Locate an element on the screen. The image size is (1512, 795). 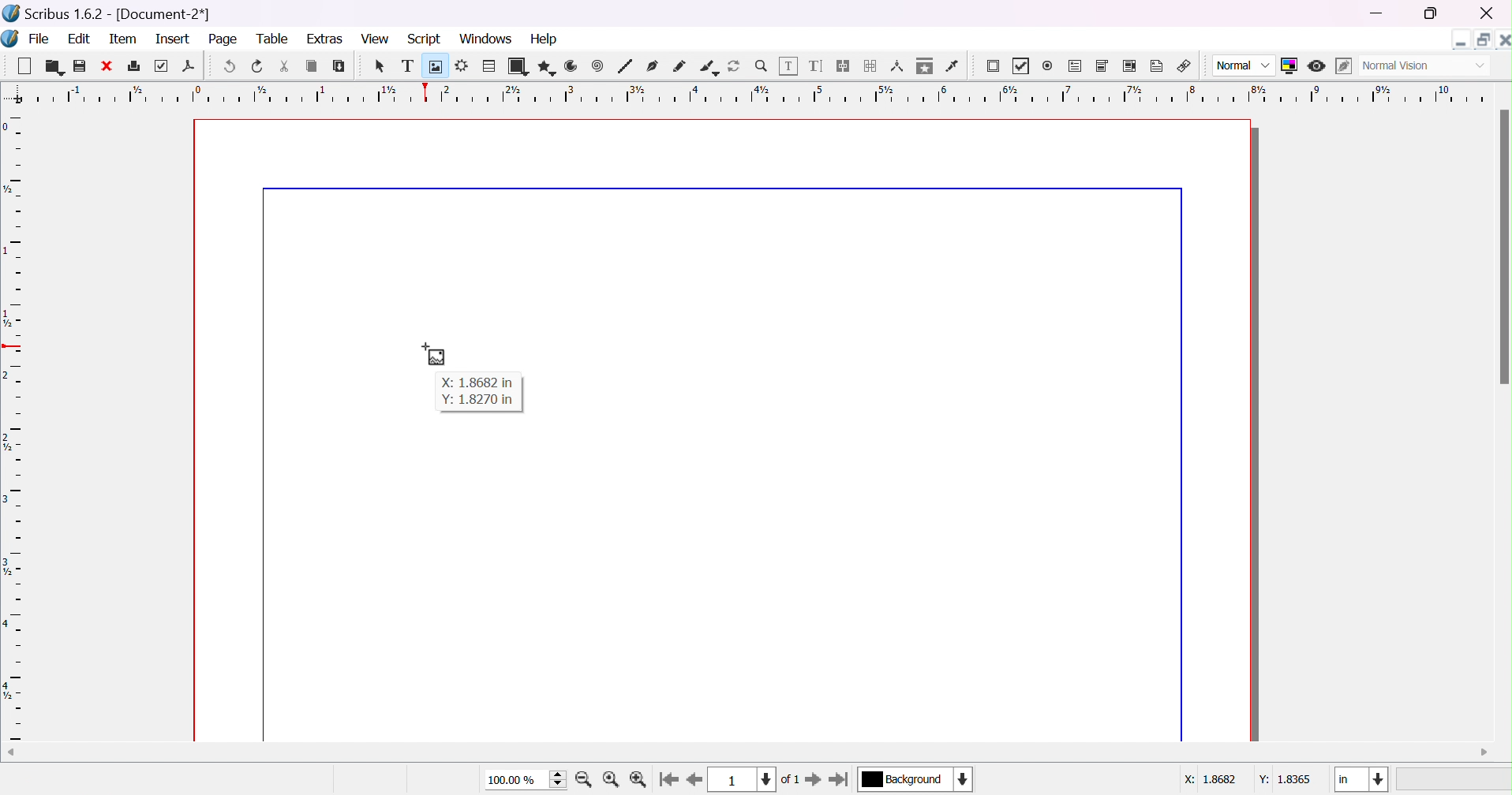
scroll right is located at coordinates (1485, 752).